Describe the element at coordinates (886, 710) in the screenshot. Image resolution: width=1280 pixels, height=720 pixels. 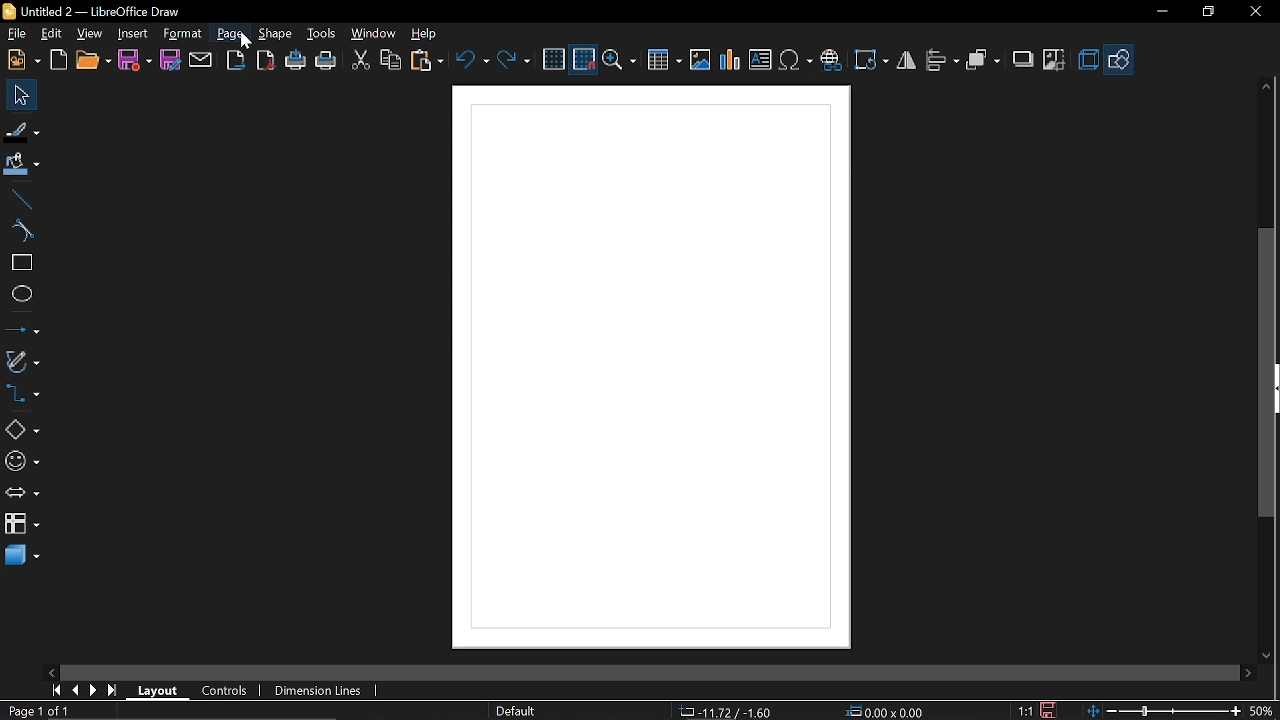
I see `Position` at that location.